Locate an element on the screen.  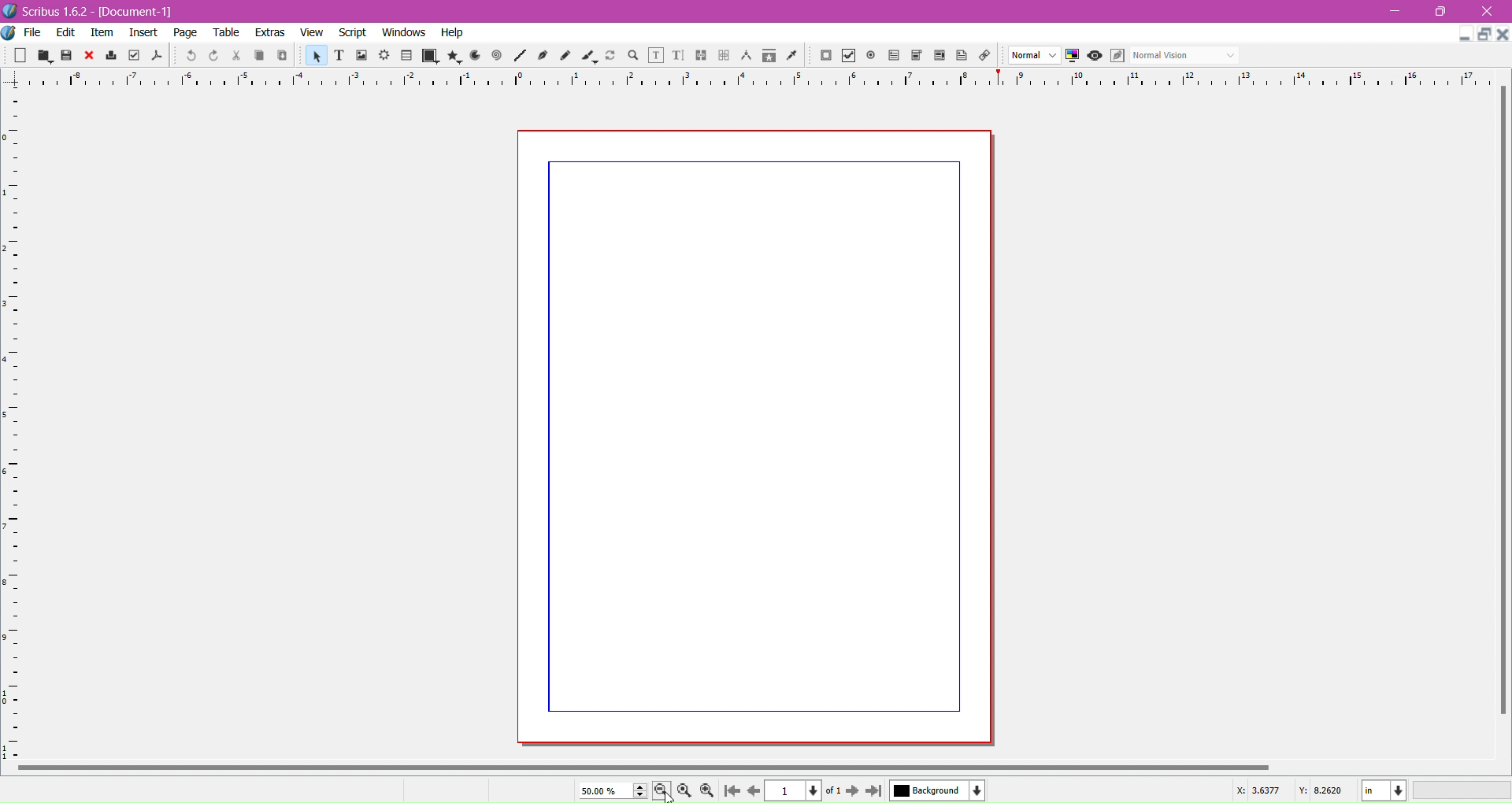
New is located at coordinates (19, 56).